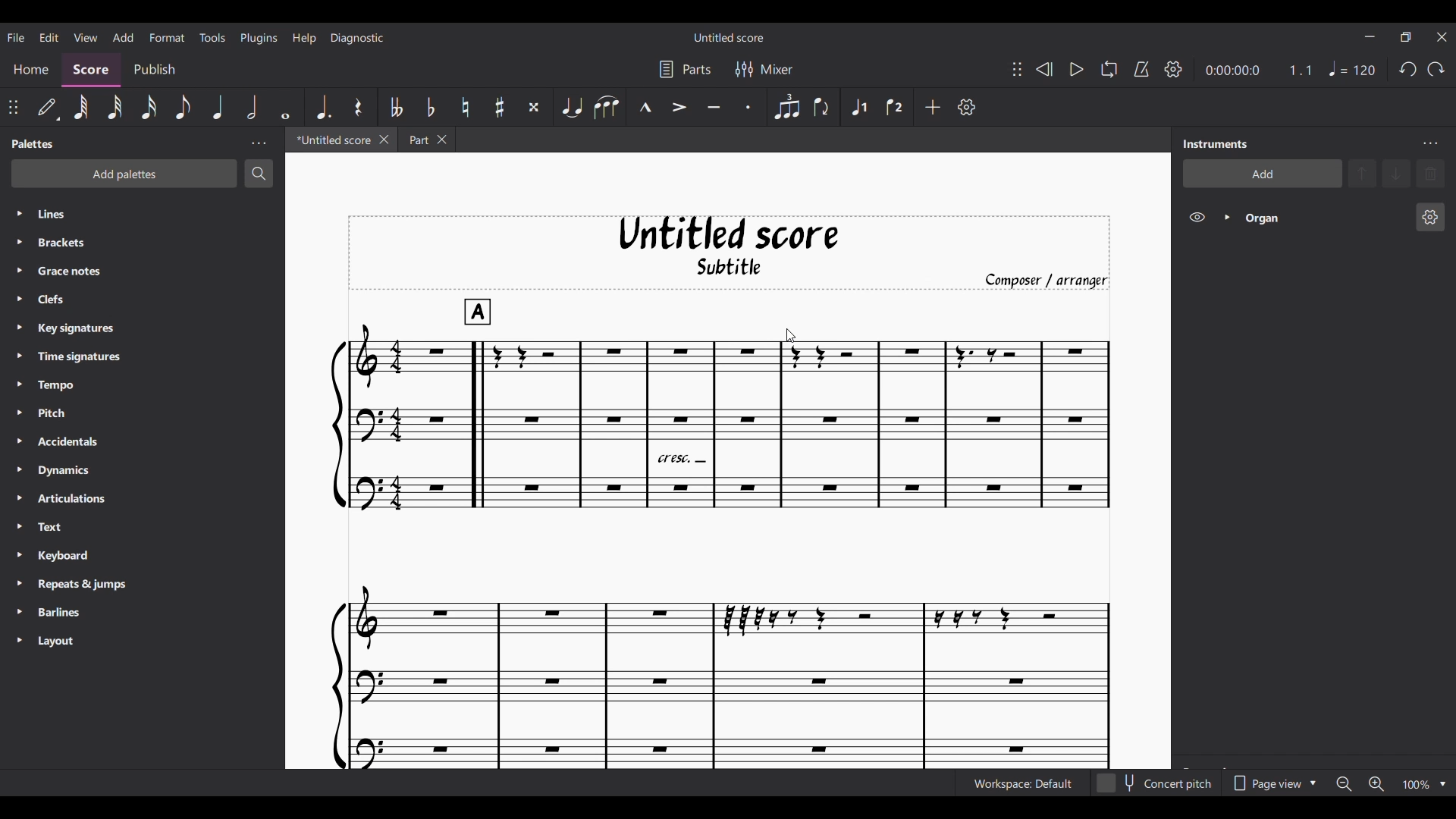  What do you see at coordinates (397, 107) in the screenshot?
I see `Toggle double flat` at bounding box center [397, 107].